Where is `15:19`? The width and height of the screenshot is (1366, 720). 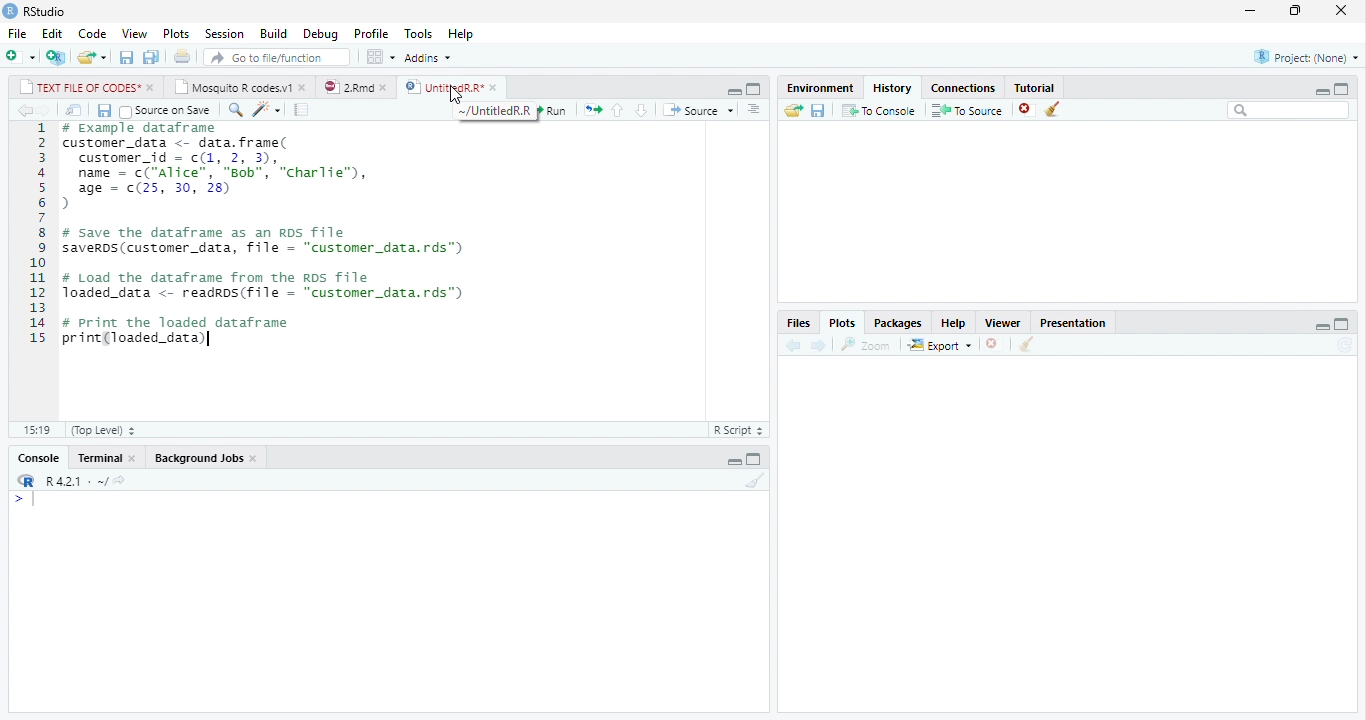
15:19 is located at coordinates (39, 430).